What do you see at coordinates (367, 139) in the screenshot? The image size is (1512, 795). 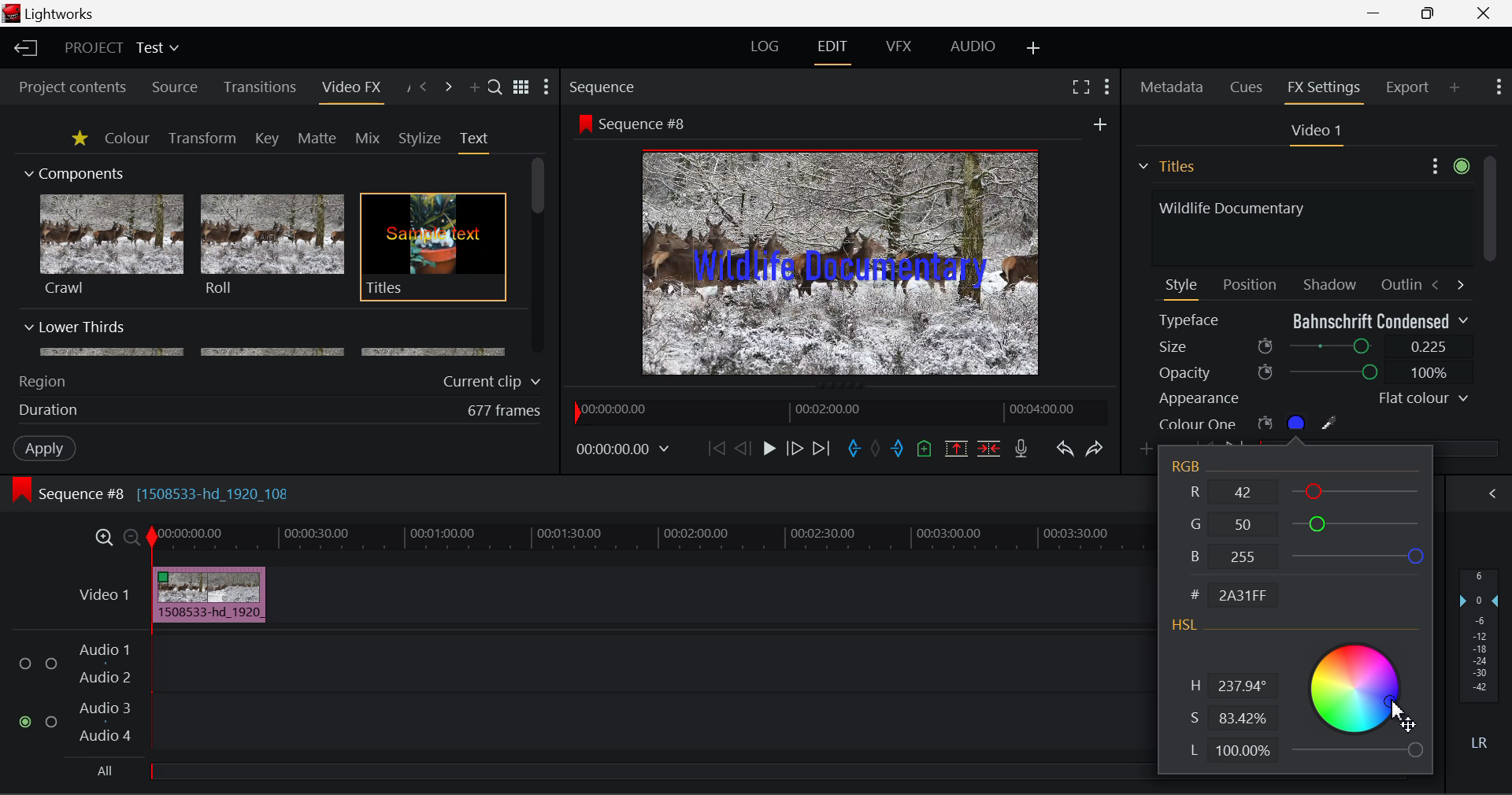 I see `Mix` at bounding box center [367, 139].